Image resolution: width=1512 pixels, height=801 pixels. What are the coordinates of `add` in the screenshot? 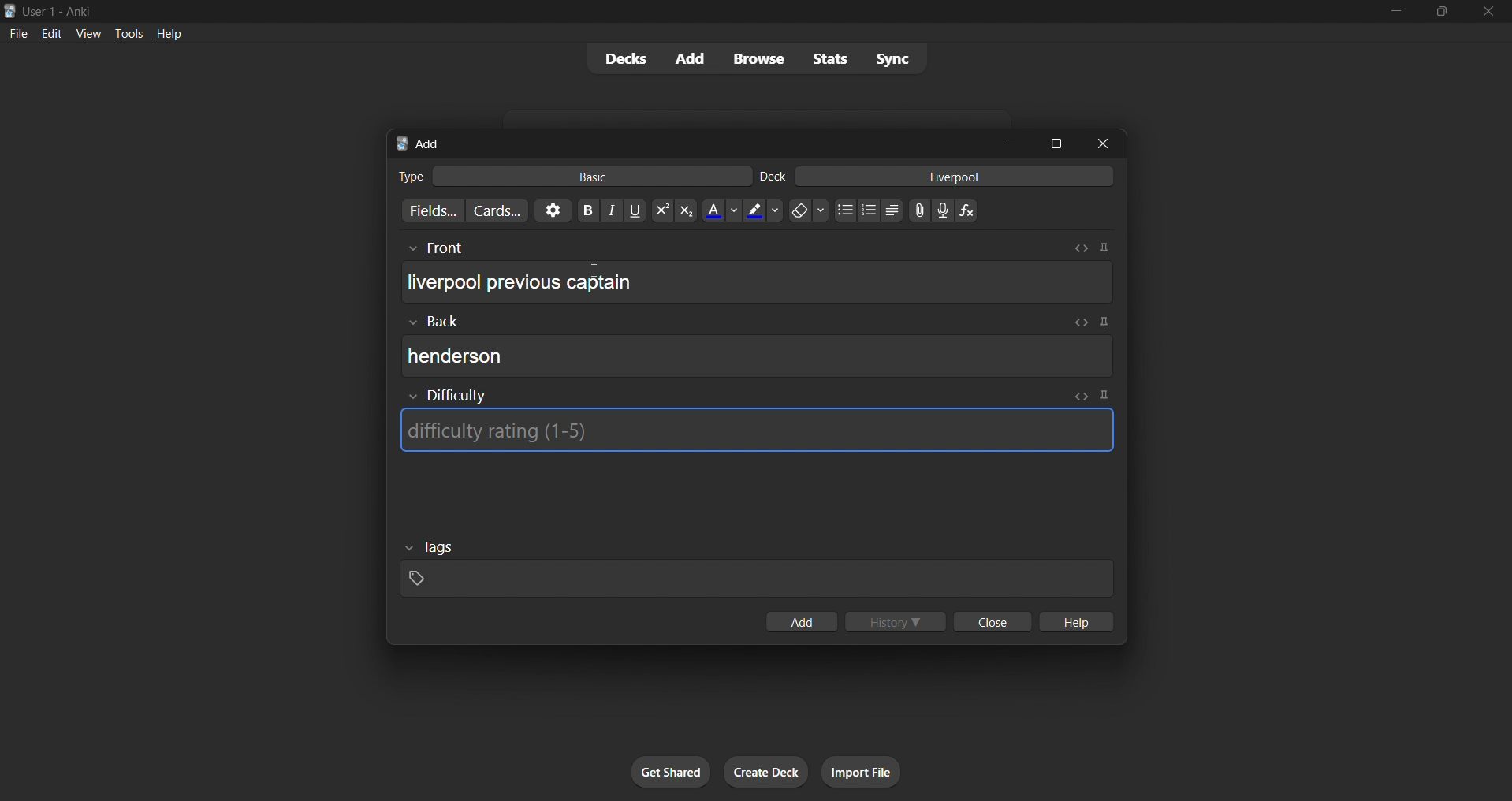 It's located at (687, 58).